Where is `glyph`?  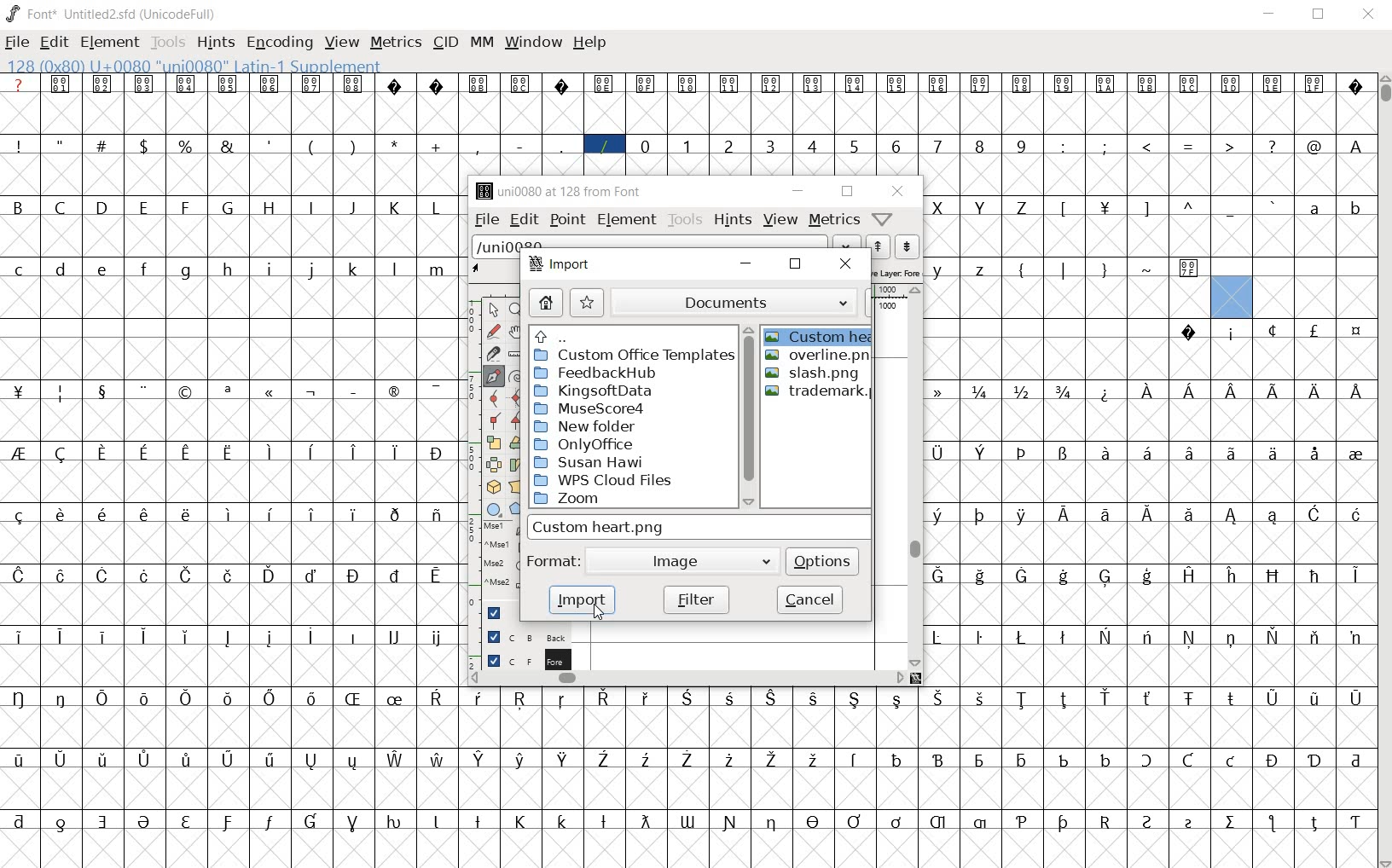
glyph is located at coordinates (355, 269).